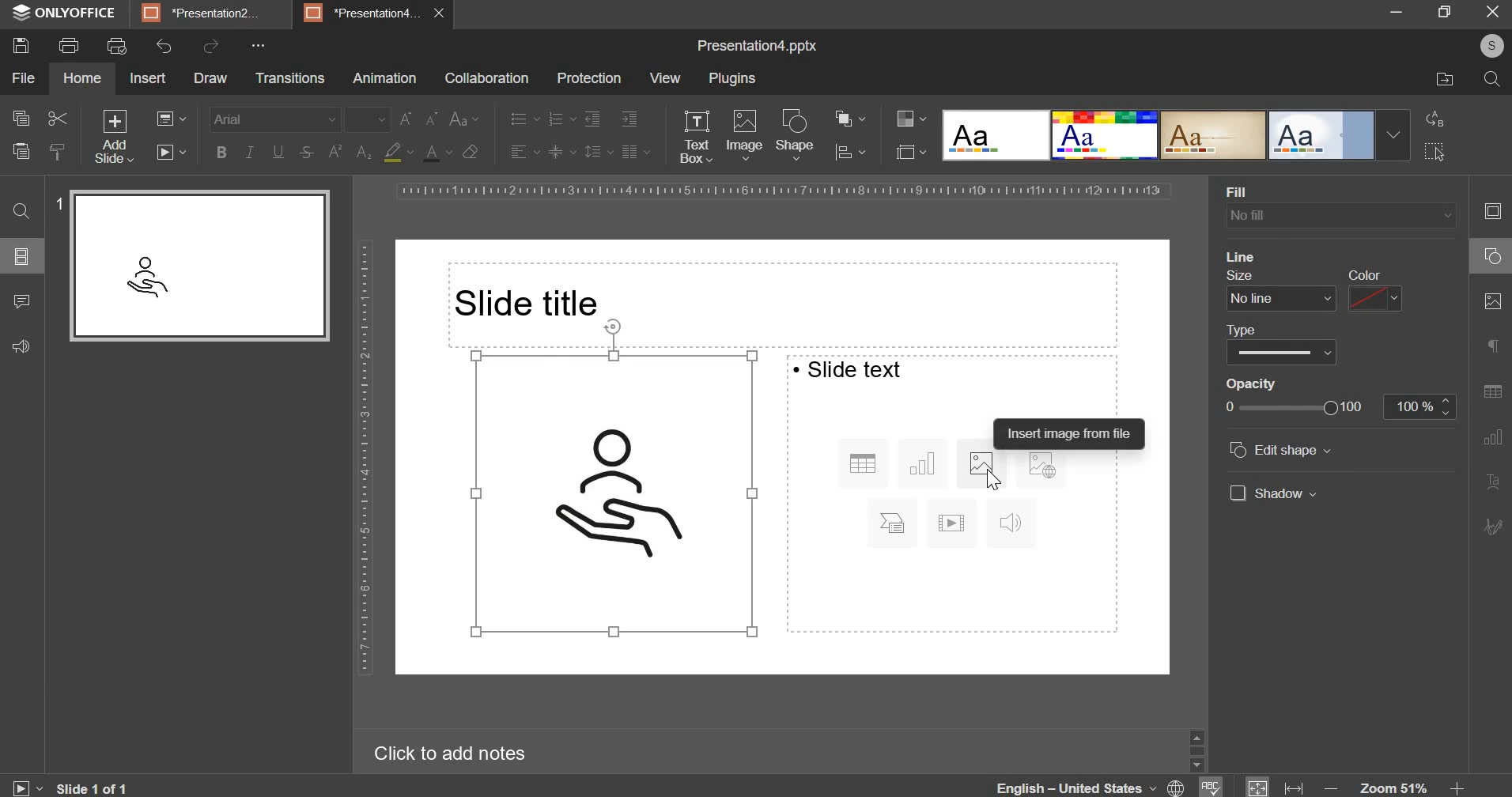 The height and width of the screenshot is (797, 1512). Describe the element at coordinates (1196, 750) in the screenshot. I see `slider` at that location.